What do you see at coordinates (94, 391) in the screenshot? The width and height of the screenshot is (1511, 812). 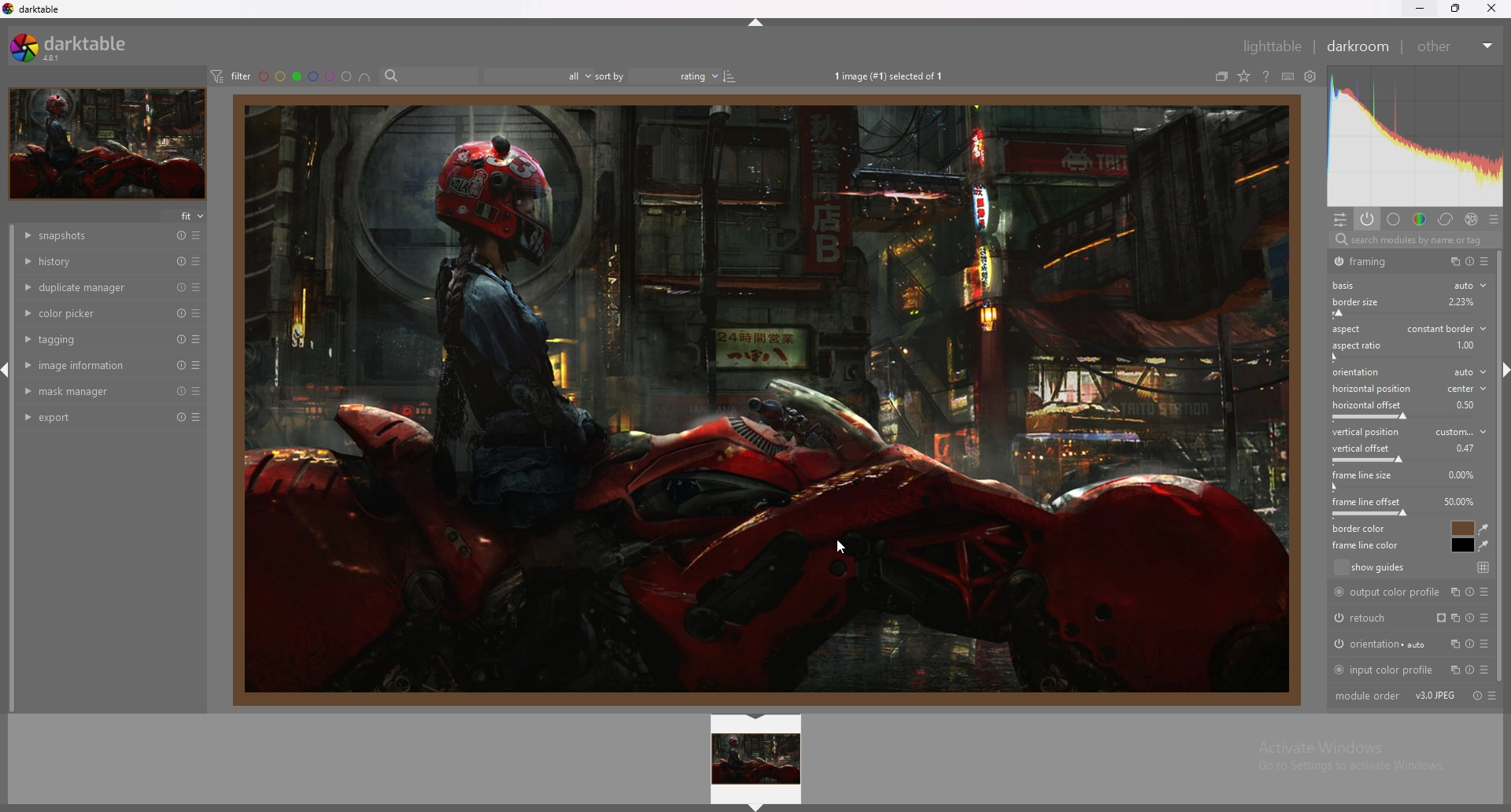 I see `mask manager` at bounding box center [94, 391].